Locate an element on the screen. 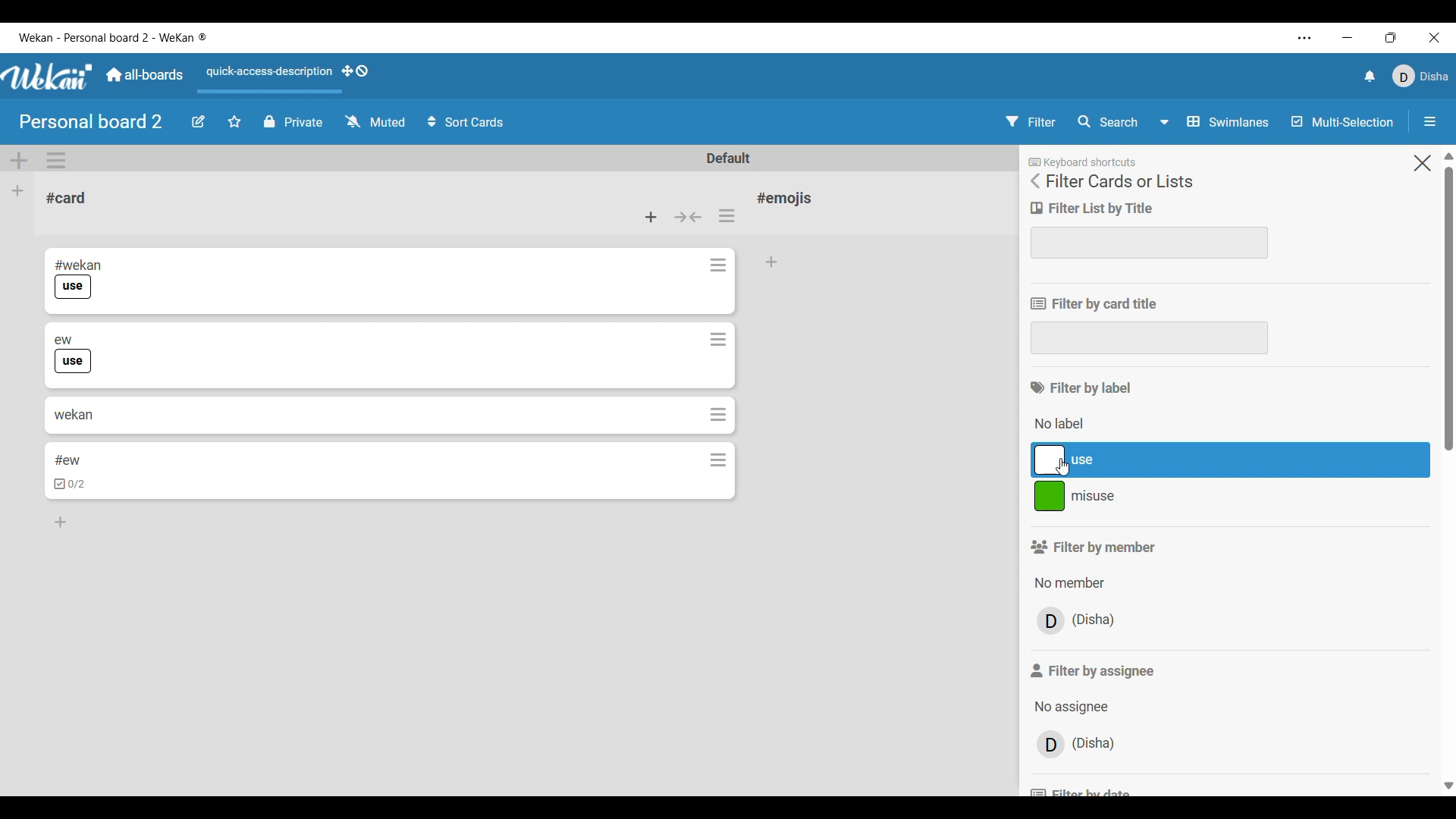 The image size is (1456, 819). Privacy status of current board is located at coordinates (293, 121).